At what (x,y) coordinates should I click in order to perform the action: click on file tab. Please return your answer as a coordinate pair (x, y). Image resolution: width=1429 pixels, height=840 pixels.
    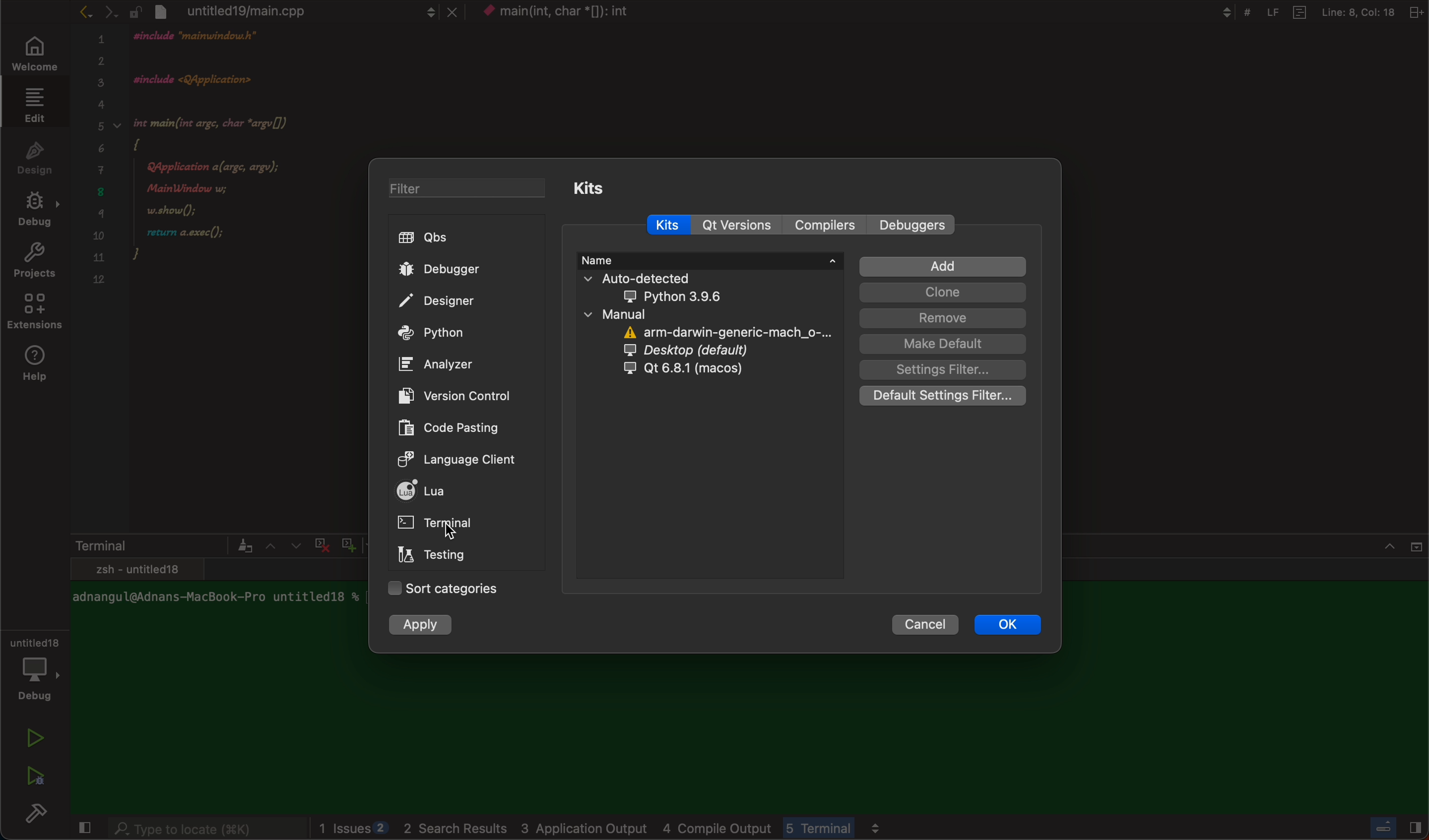
    Looking at the image, I should click on (294, 11).